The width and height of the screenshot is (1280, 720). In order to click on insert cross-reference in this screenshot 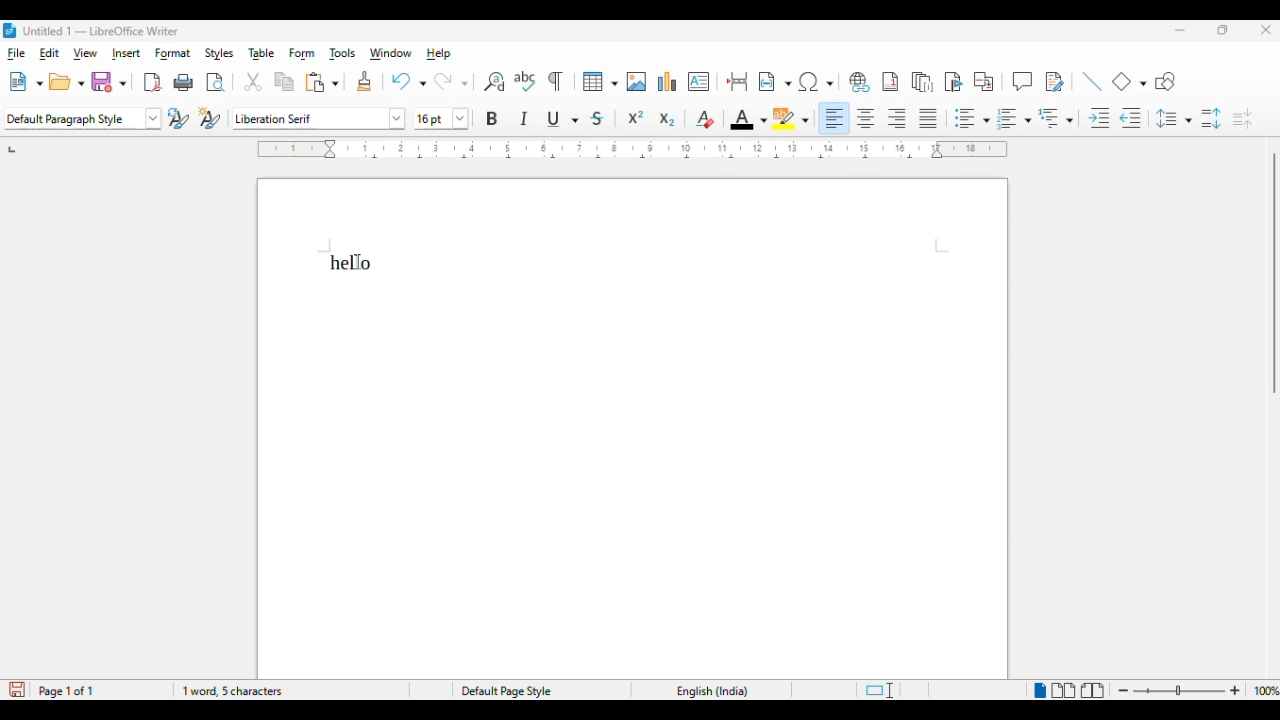, I will do `click(985, 82)`.